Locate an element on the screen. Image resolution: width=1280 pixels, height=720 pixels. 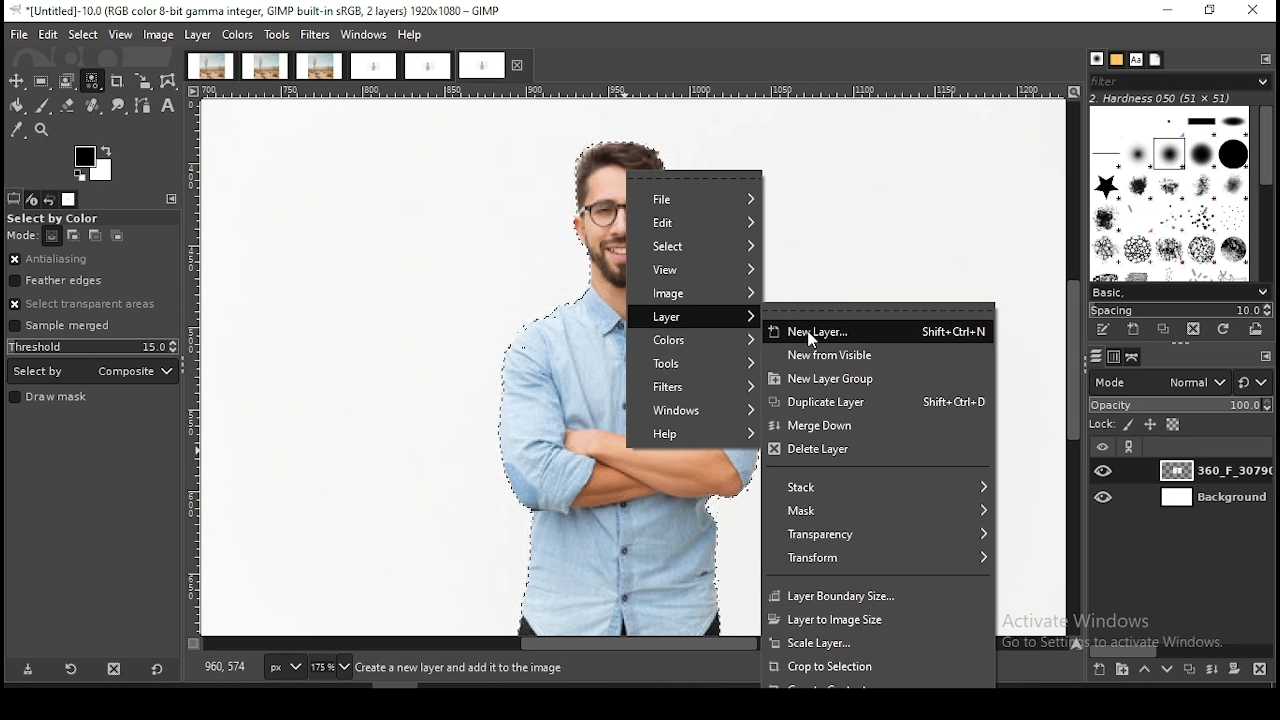
foreground select tool is located at coordinates (67, 81).